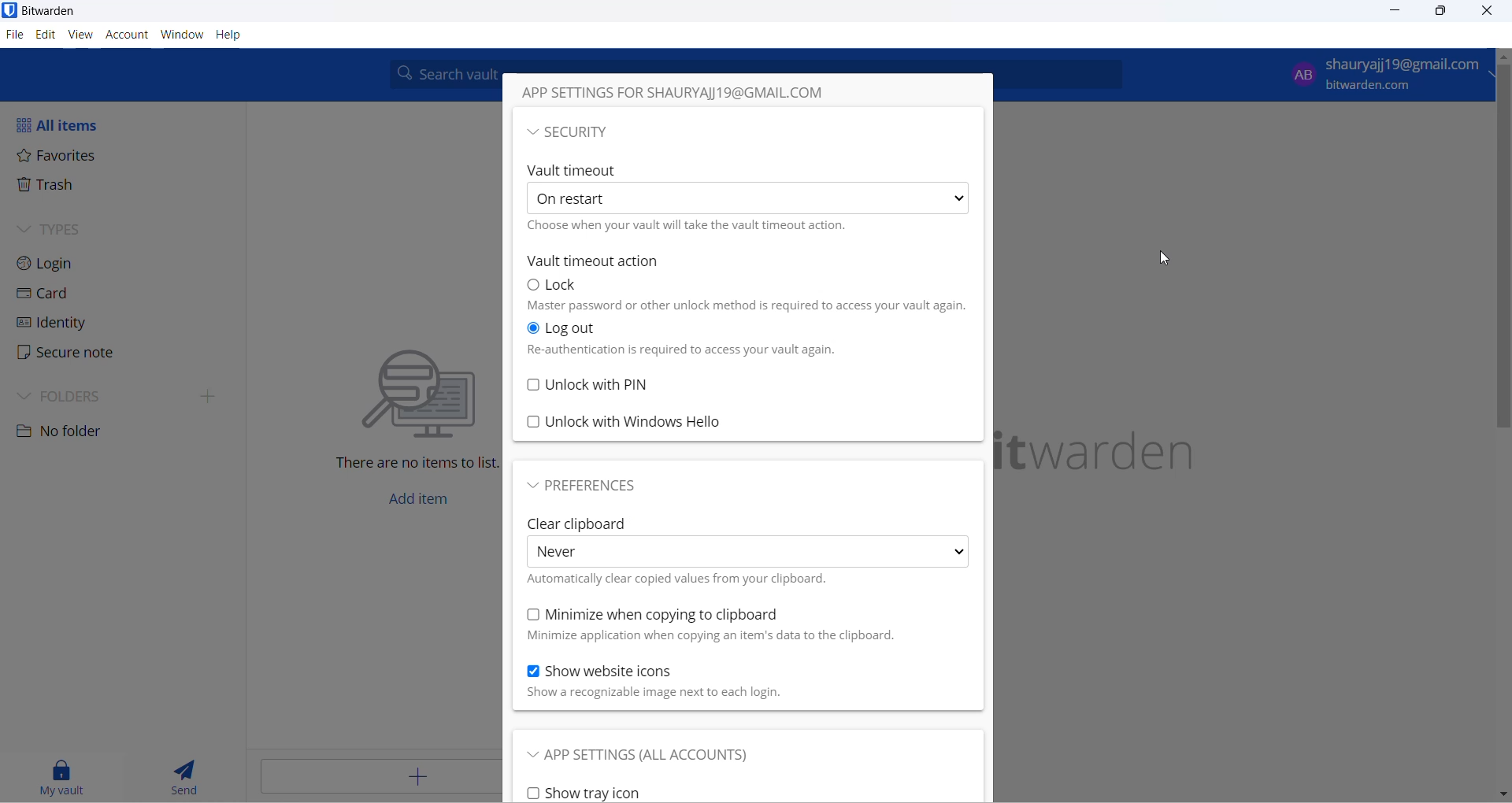  Describe the element at coordinates (1503, 262) in the screenshot. I see `scrollbar` at that location.